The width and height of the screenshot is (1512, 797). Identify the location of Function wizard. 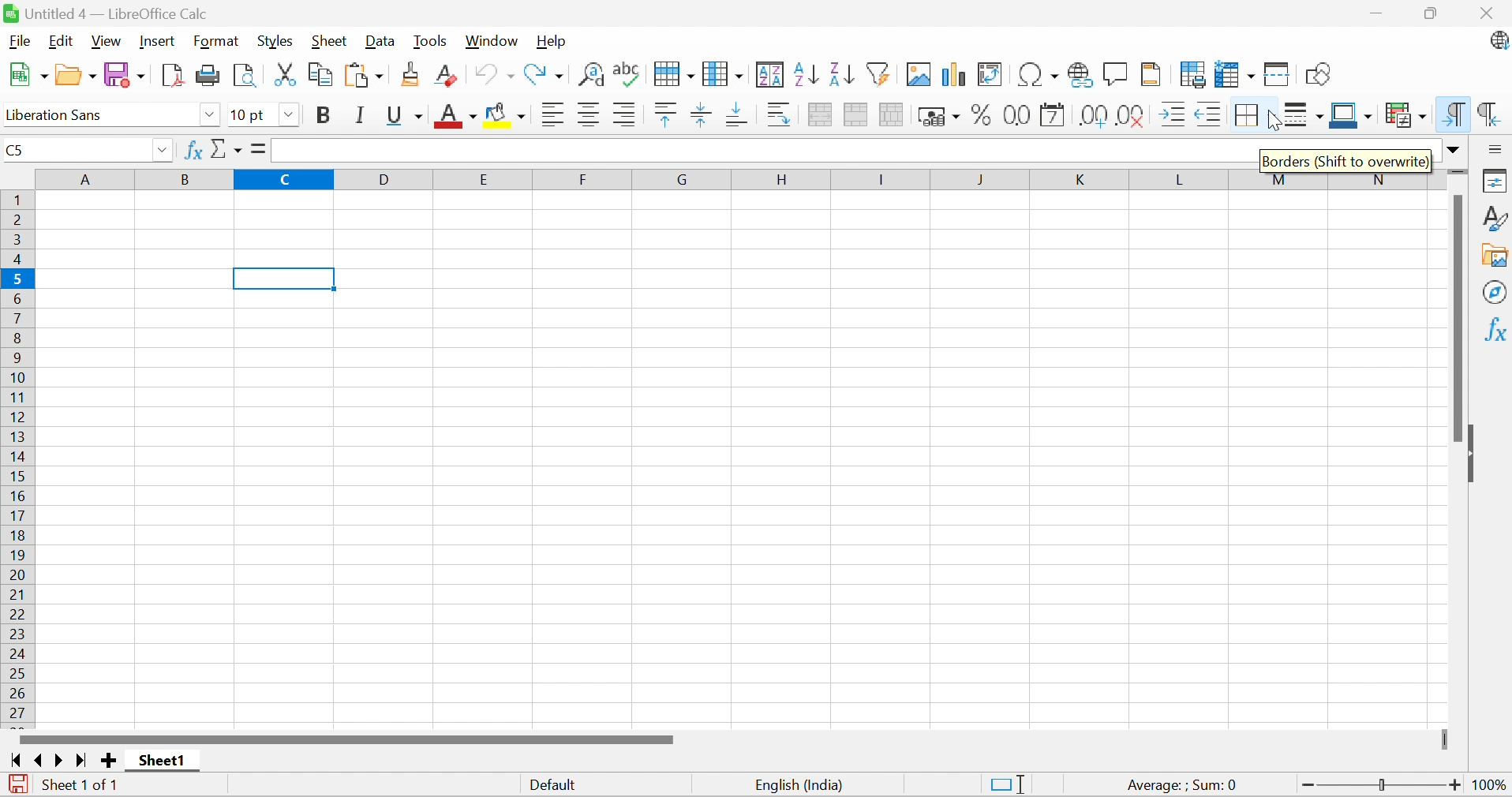
(193, 148).